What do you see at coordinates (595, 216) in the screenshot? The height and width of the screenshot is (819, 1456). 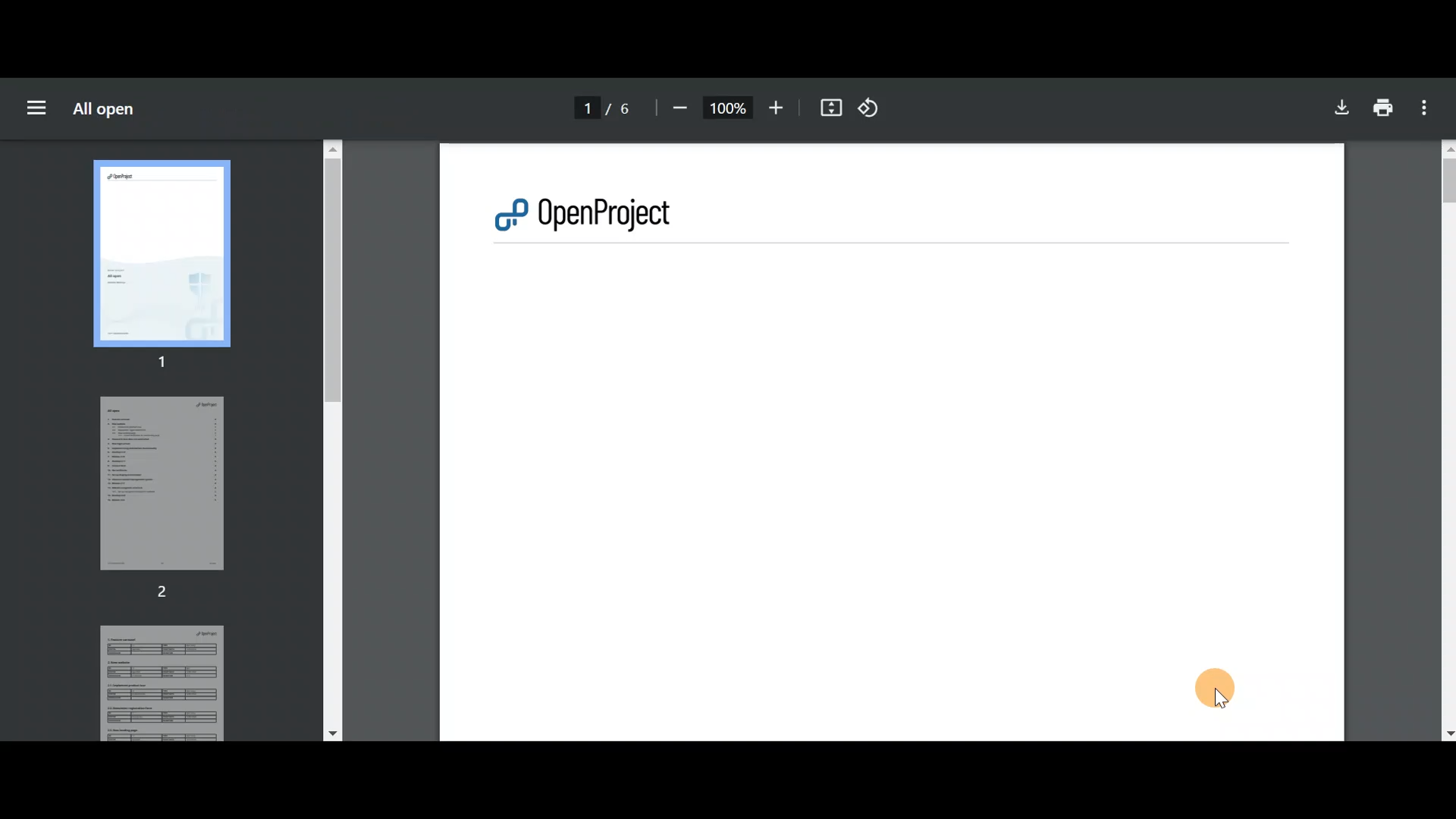 I see `OpenProject` at bounding box center [595, 216].